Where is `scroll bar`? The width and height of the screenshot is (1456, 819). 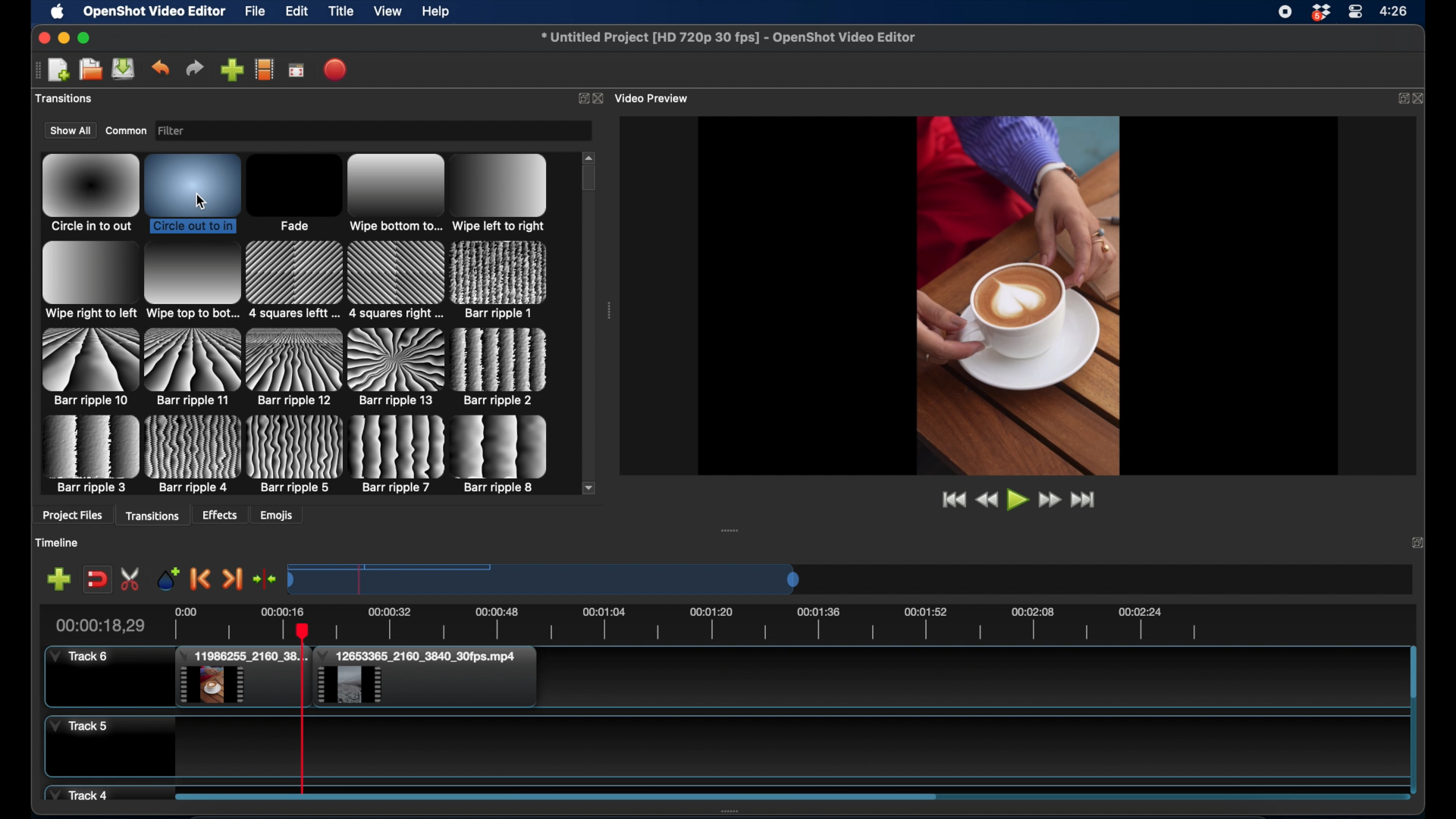 scroll bar is located at coordinates (555, 795).